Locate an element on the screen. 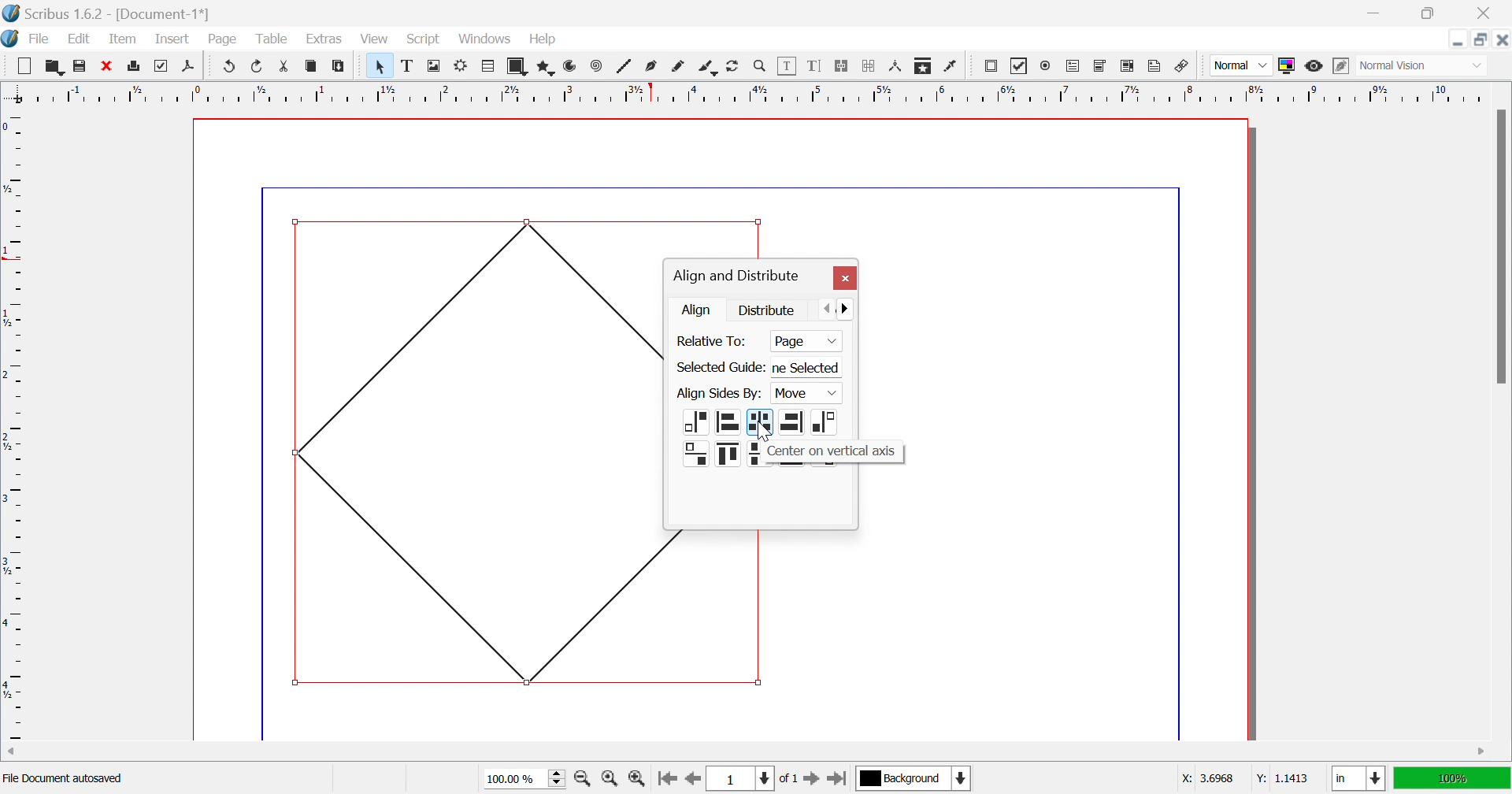  Align and distribute is located at coordinates (736, 276).